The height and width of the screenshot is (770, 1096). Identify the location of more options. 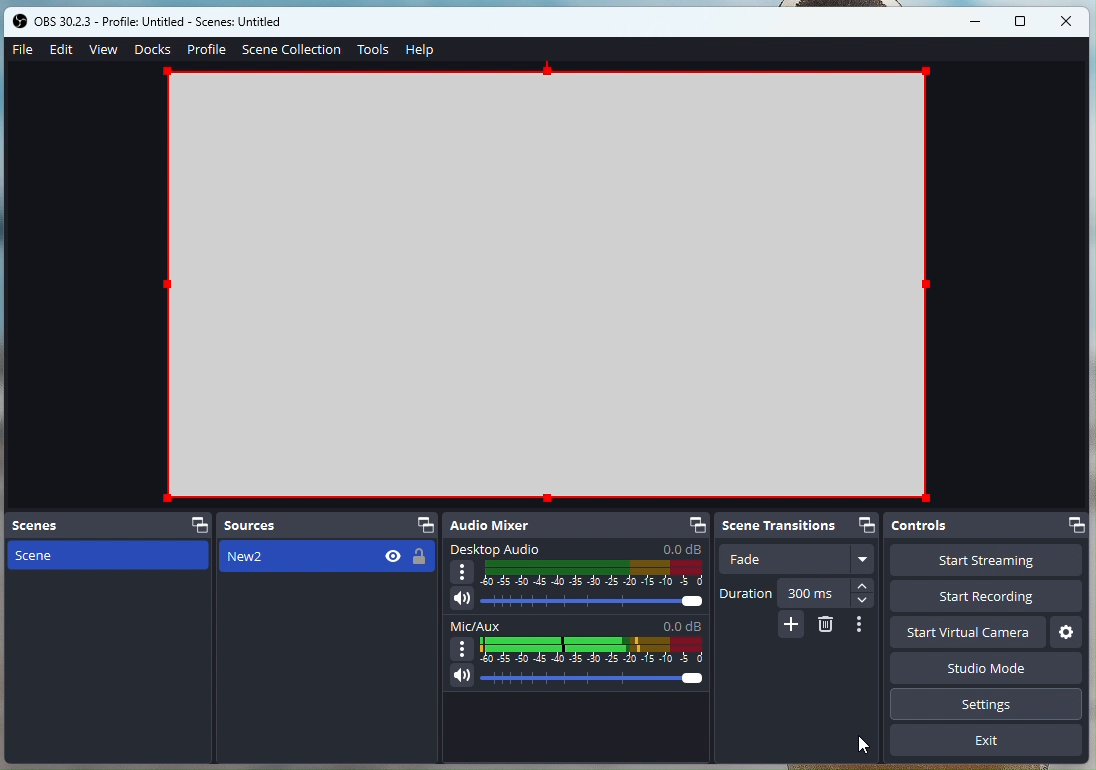
(462, 573).